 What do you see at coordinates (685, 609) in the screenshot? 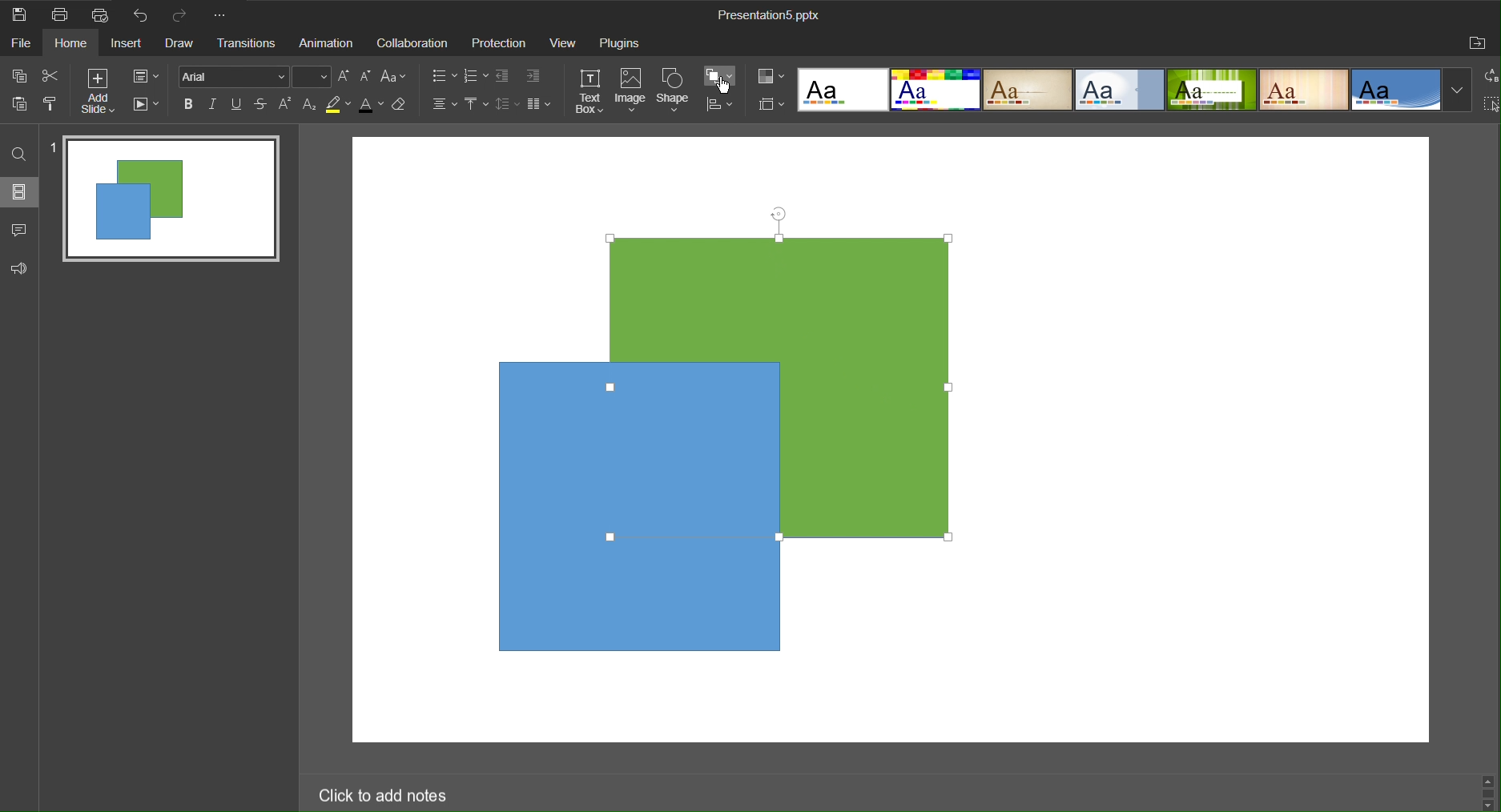
I see `shape` at bounding box center [685, 609].